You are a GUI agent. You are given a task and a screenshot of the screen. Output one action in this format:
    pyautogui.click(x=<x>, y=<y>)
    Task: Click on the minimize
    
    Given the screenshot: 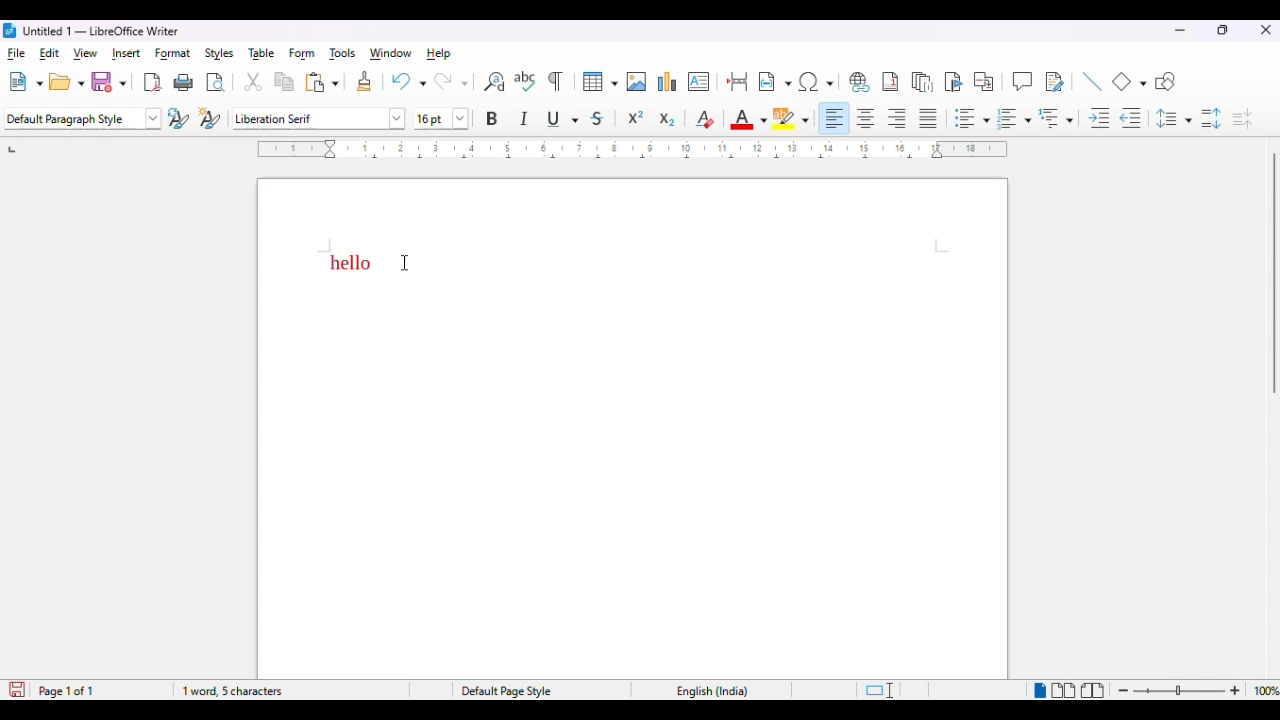 What is the action you would take?
    pyautogui.click(x=1179, y=30)
    